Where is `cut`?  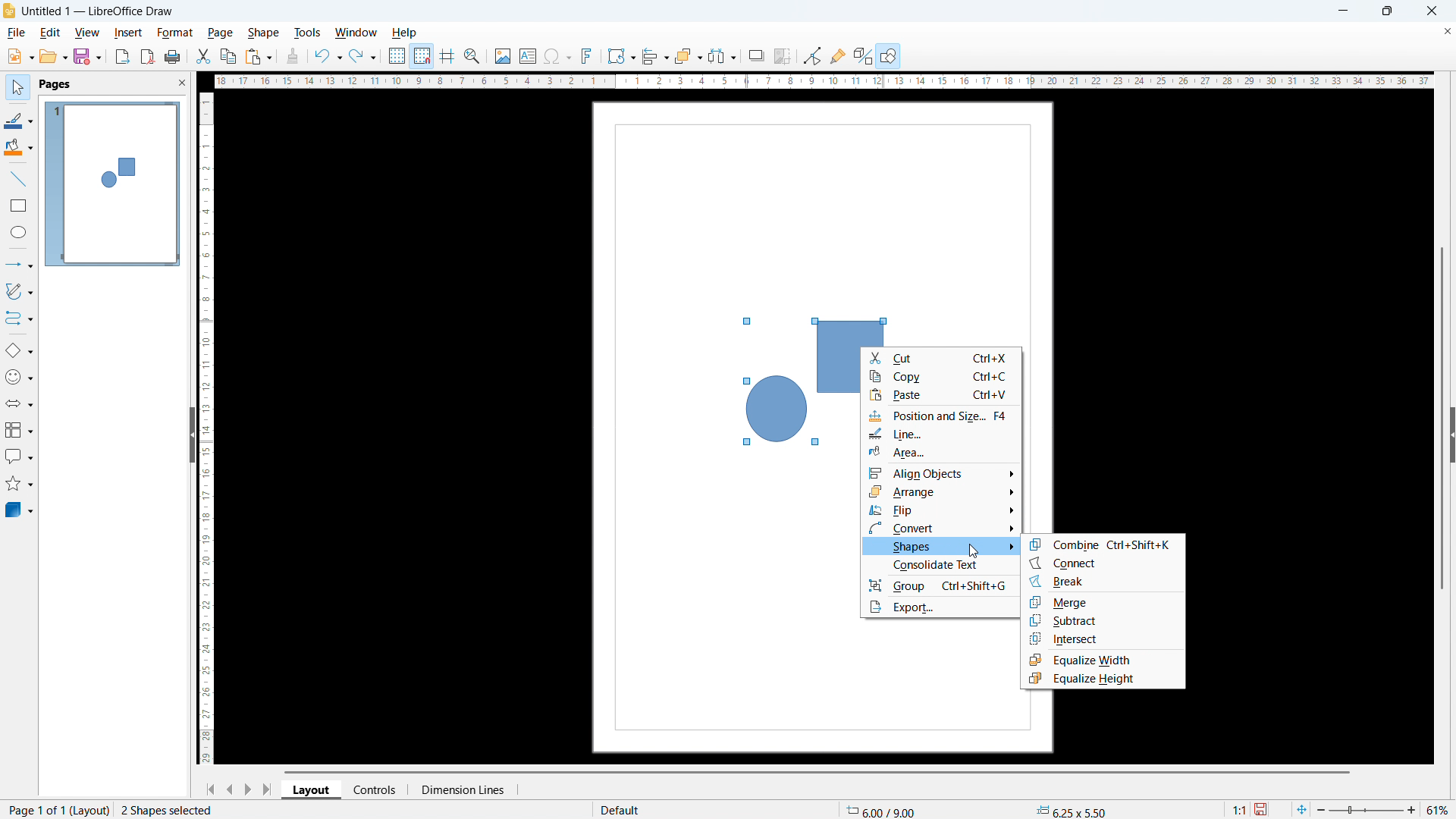 cut is located at coordinates (943, 357).